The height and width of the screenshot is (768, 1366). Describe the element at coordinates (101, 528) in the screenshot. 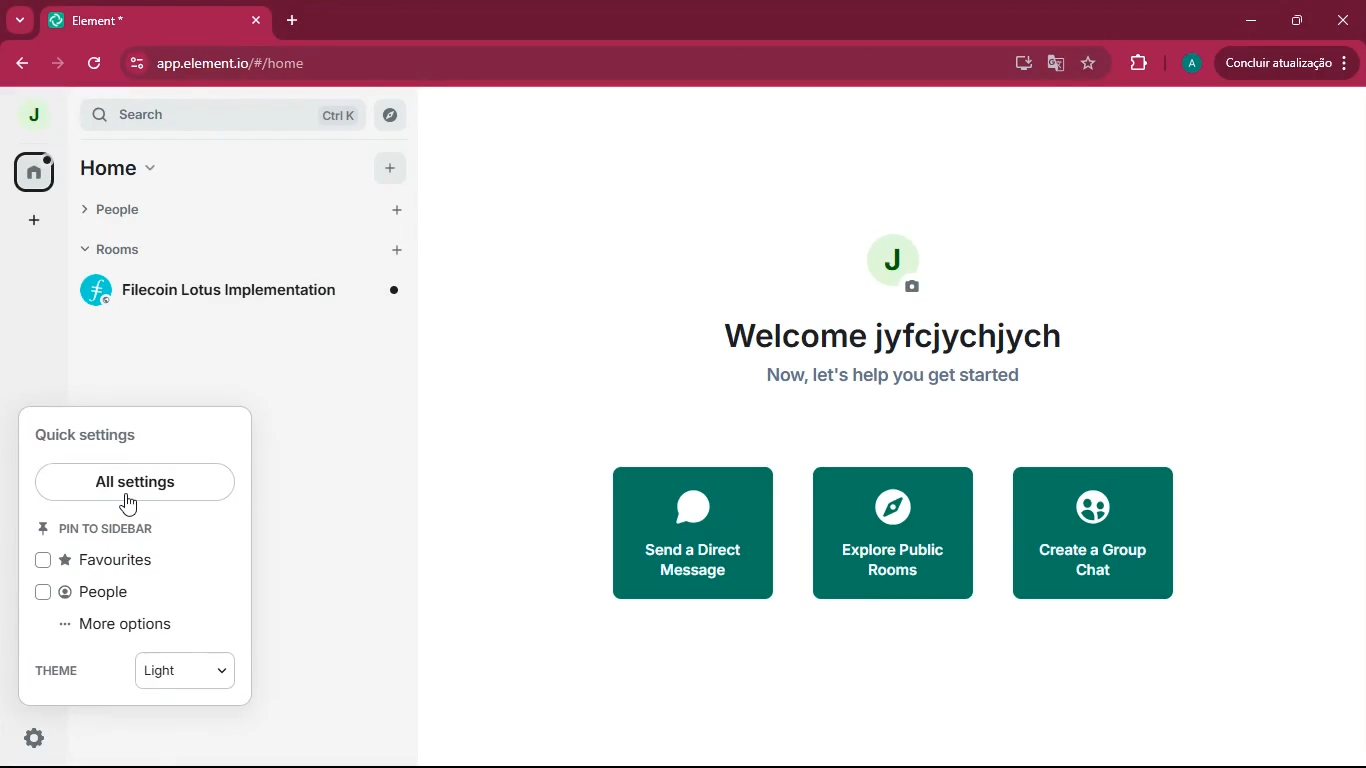

I see `pin` at that location.